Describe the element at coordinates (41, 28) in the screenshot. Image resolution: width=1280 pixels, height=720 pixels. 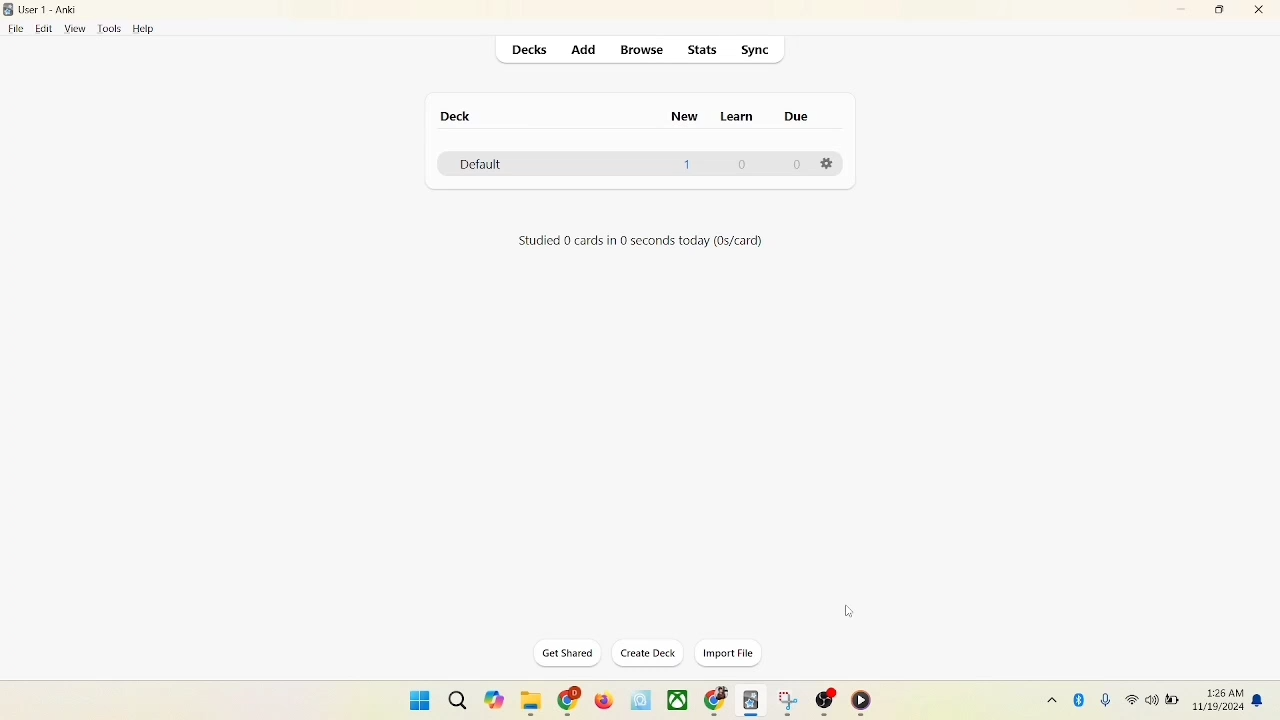
I see `edit` at that location.